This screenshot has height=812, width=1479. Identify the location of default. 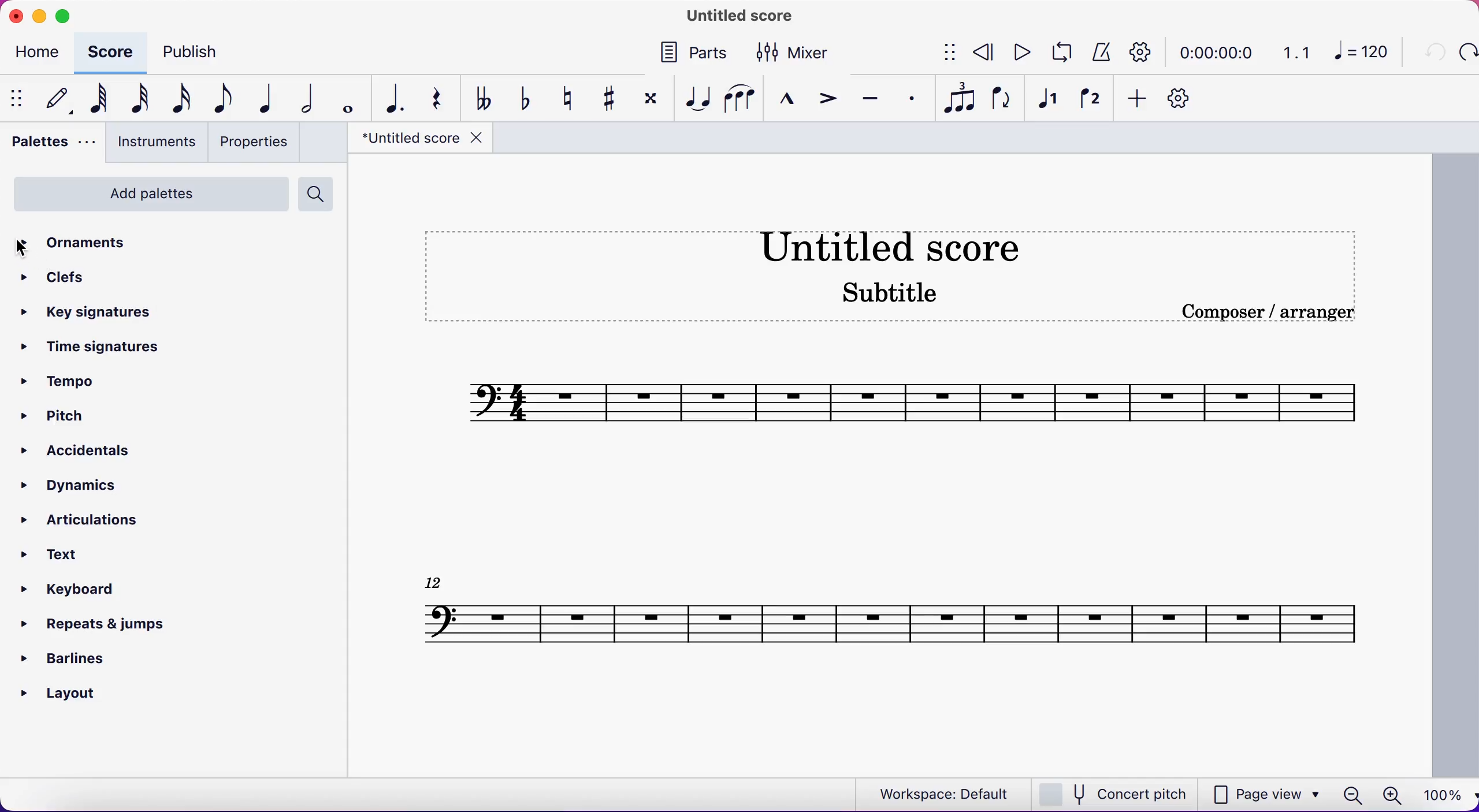
(53, 99).